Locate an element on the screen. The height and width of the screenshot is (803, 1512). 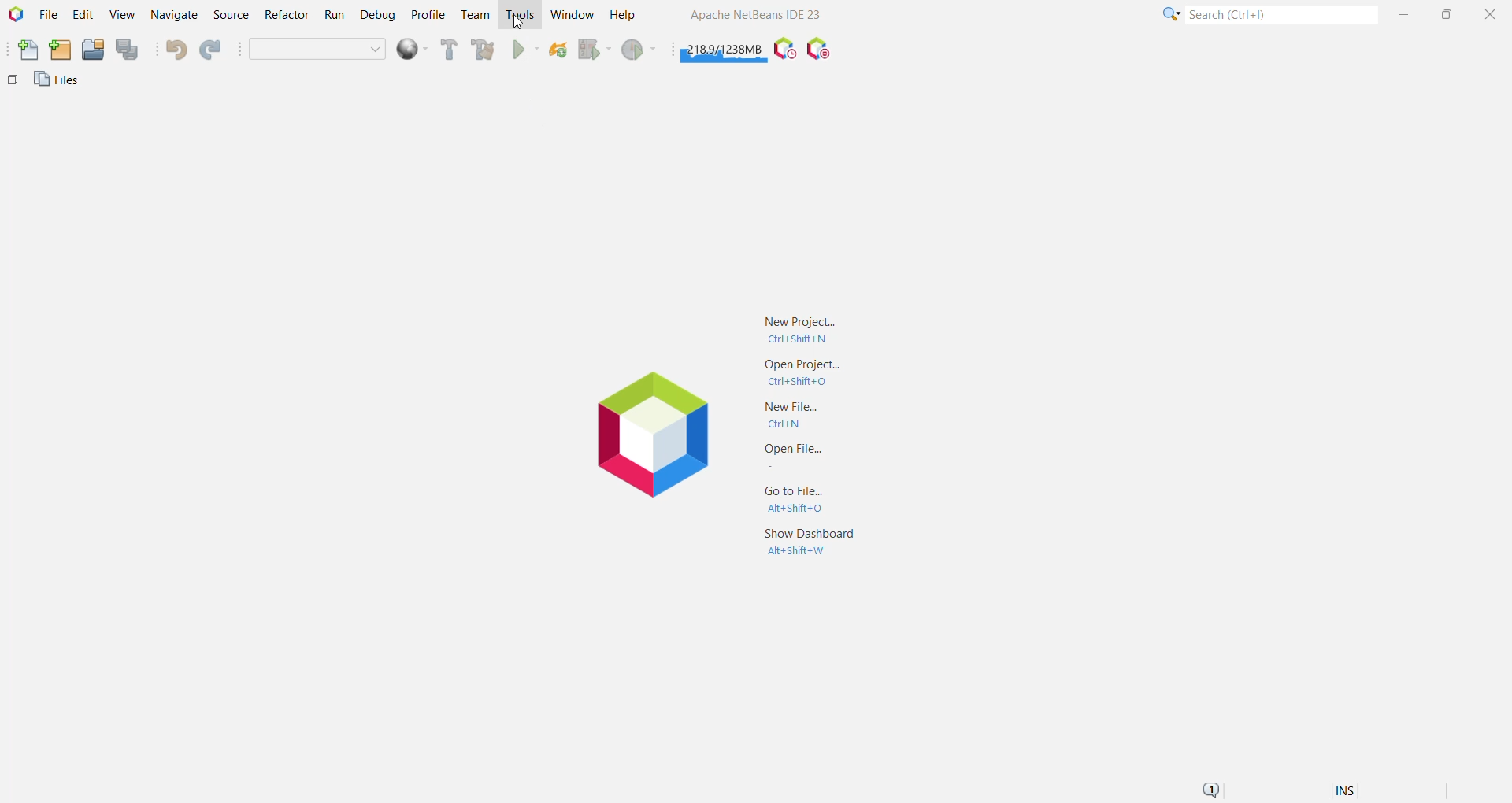
Window is located at coordinates (572, 14).